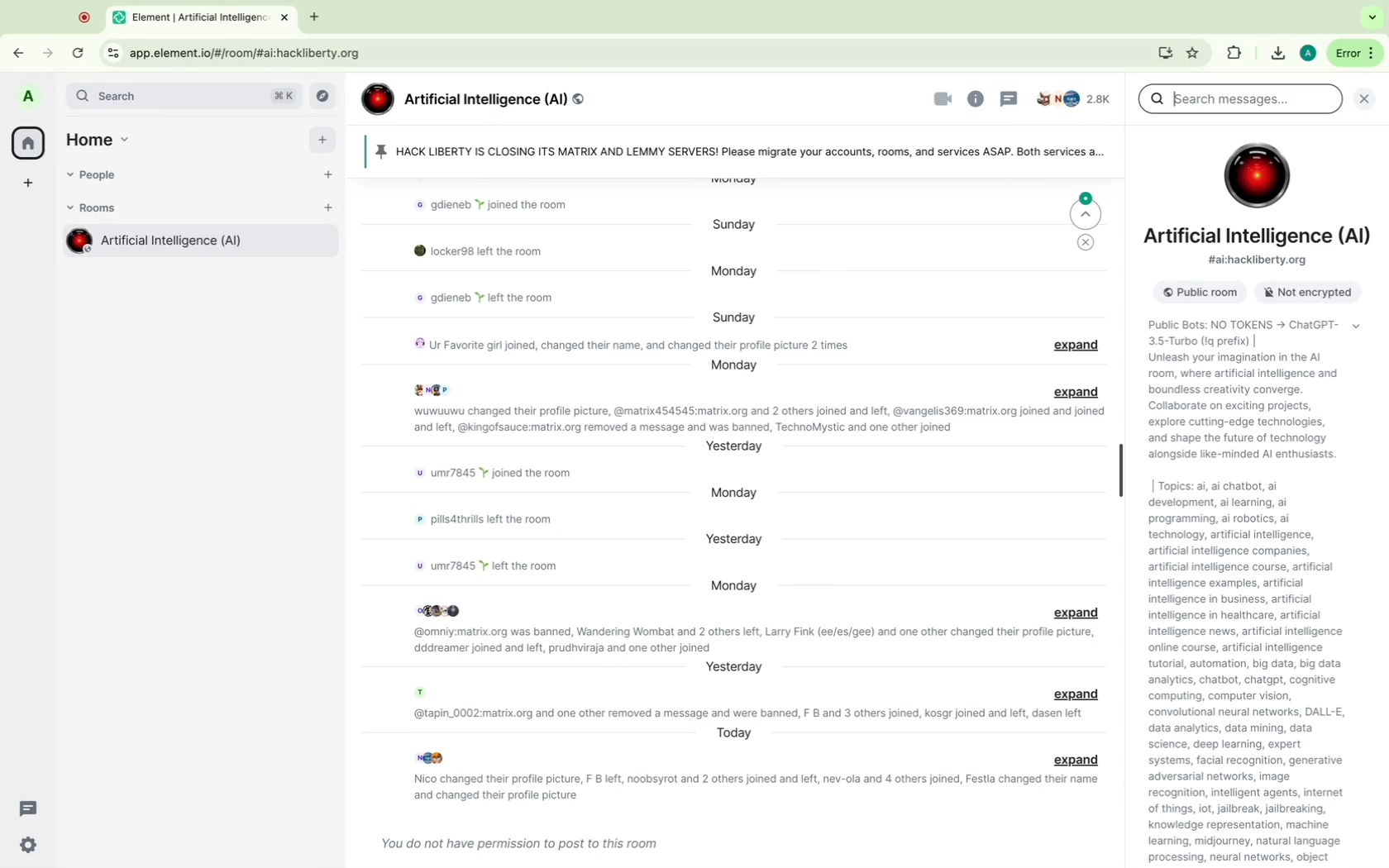 This screenshot has height=868, width=1389. Describe the element at coordinates (733, 366) in the screenshot. I see `day` at that location.